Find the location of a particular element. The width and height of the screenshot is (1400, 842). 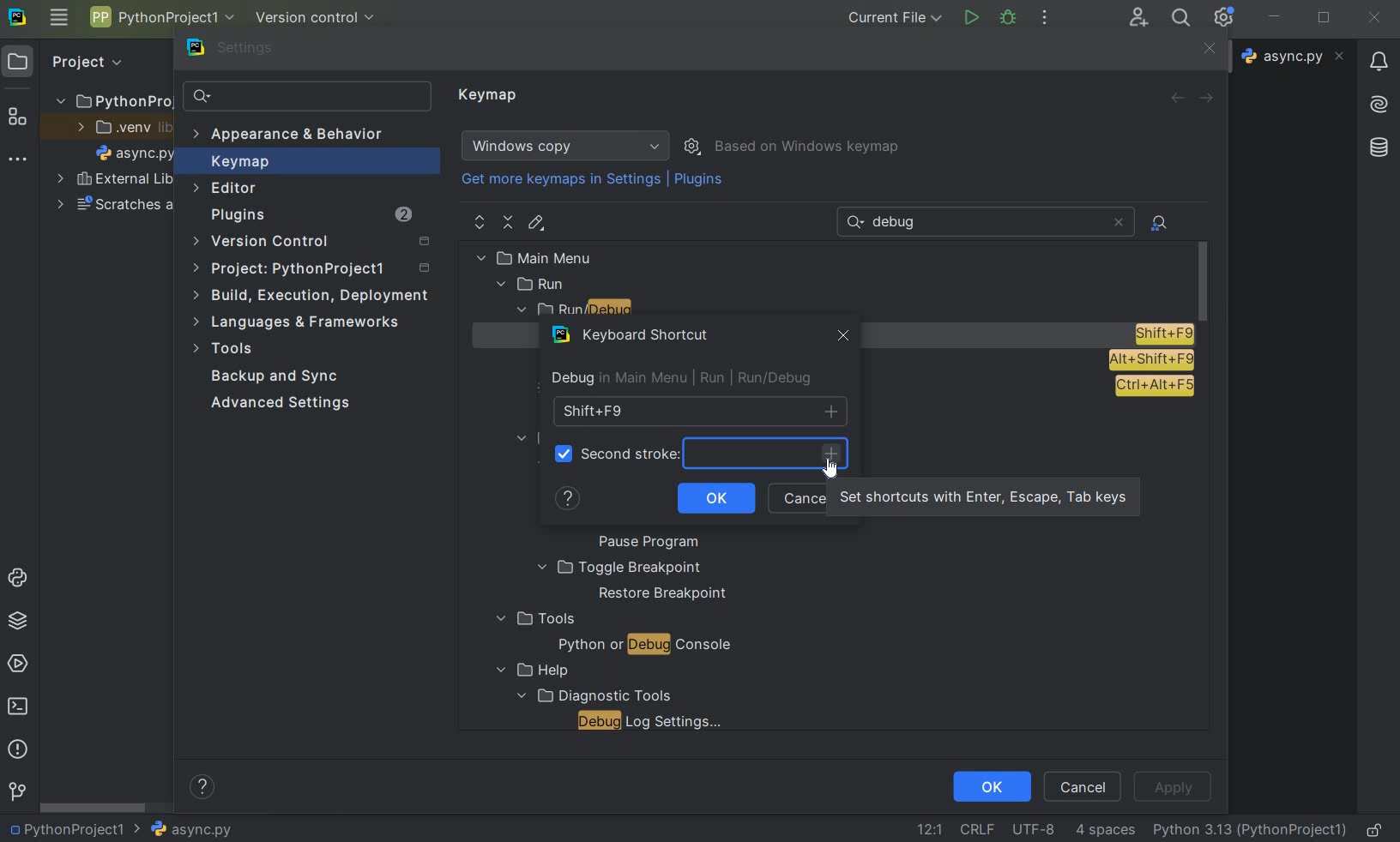

advanced settings is located at coordinates (277, 403).